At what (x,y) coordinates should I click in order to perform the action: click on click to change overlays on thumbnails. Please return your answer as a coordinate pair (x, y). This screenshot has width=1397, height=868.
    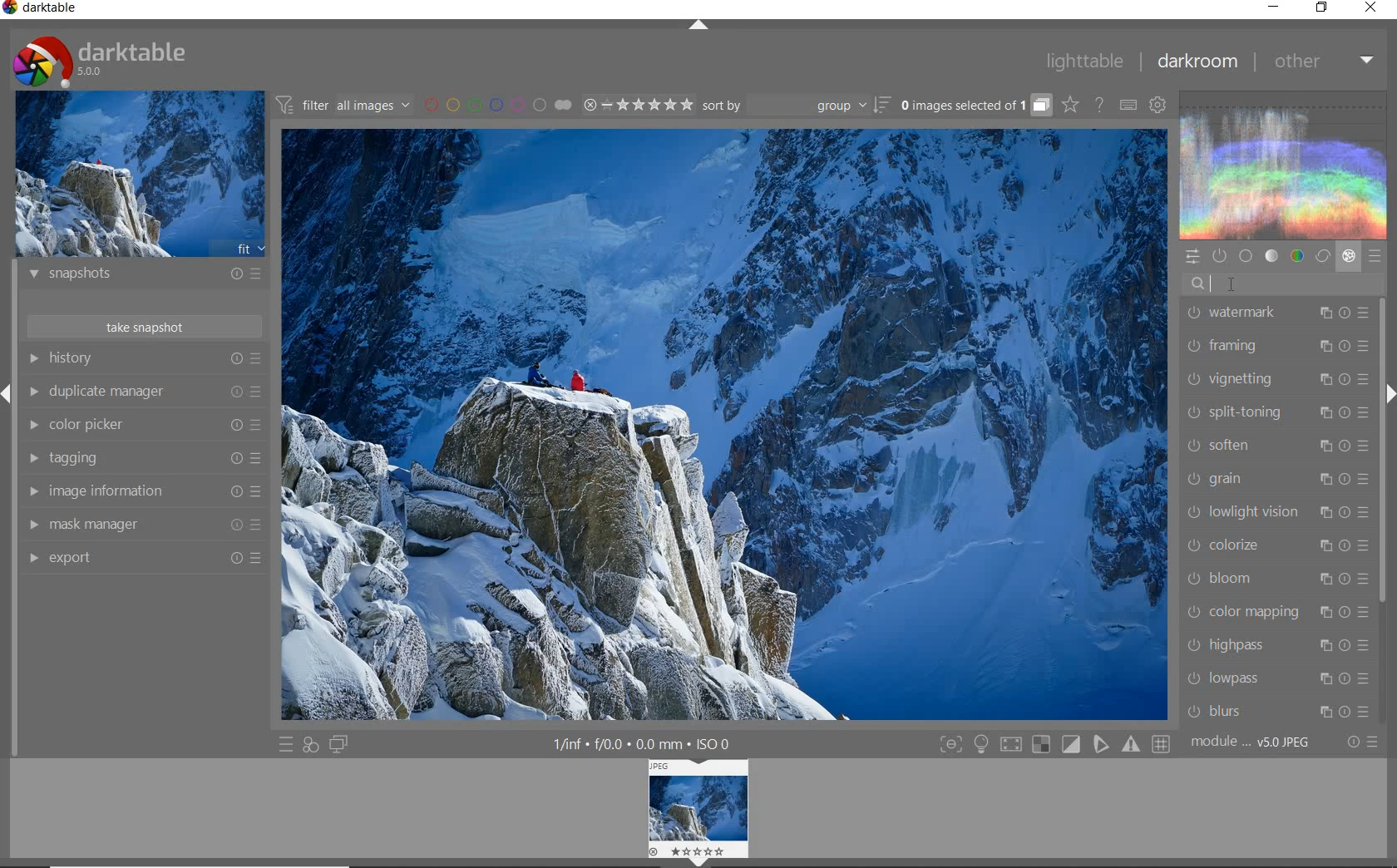
    Looking at the image, I should click on (1069, 106).